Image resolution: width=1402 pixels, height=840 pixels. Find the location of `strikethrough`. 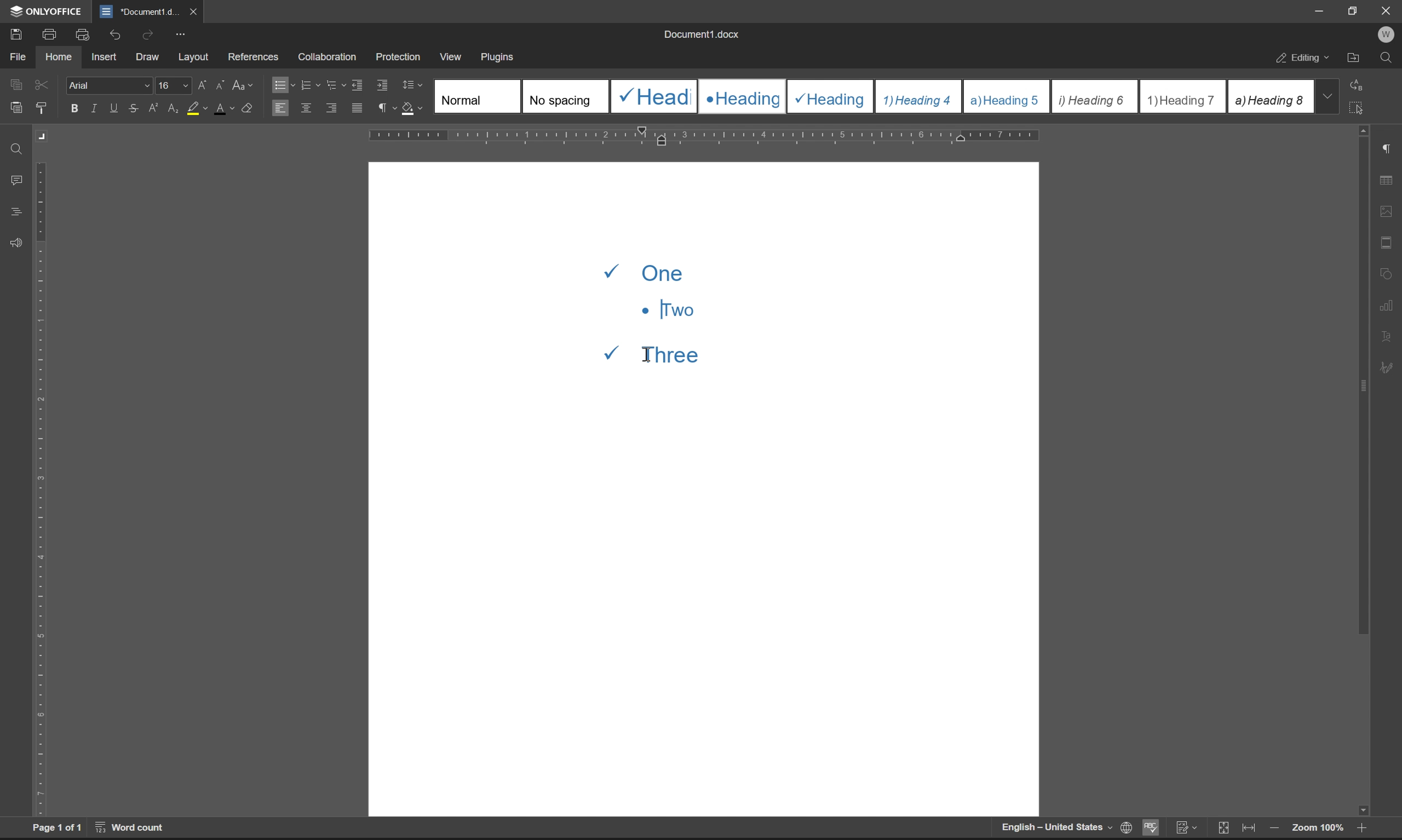

strikethrough is located at coordinates (135, 108).